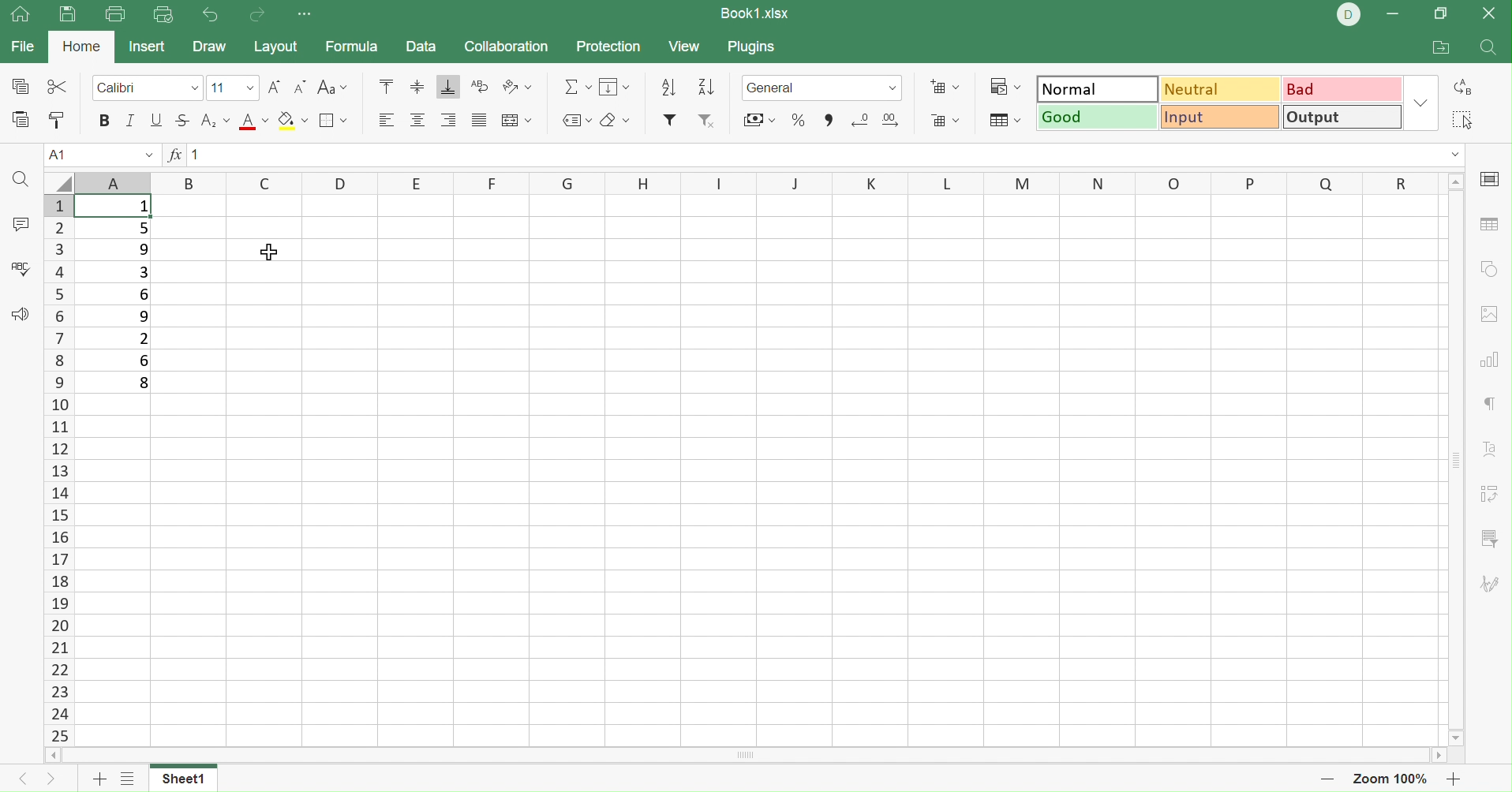  What do you see at coordinates (615, 86) in the screenshot?
I see `Fill` at bounding box center [615, 86].